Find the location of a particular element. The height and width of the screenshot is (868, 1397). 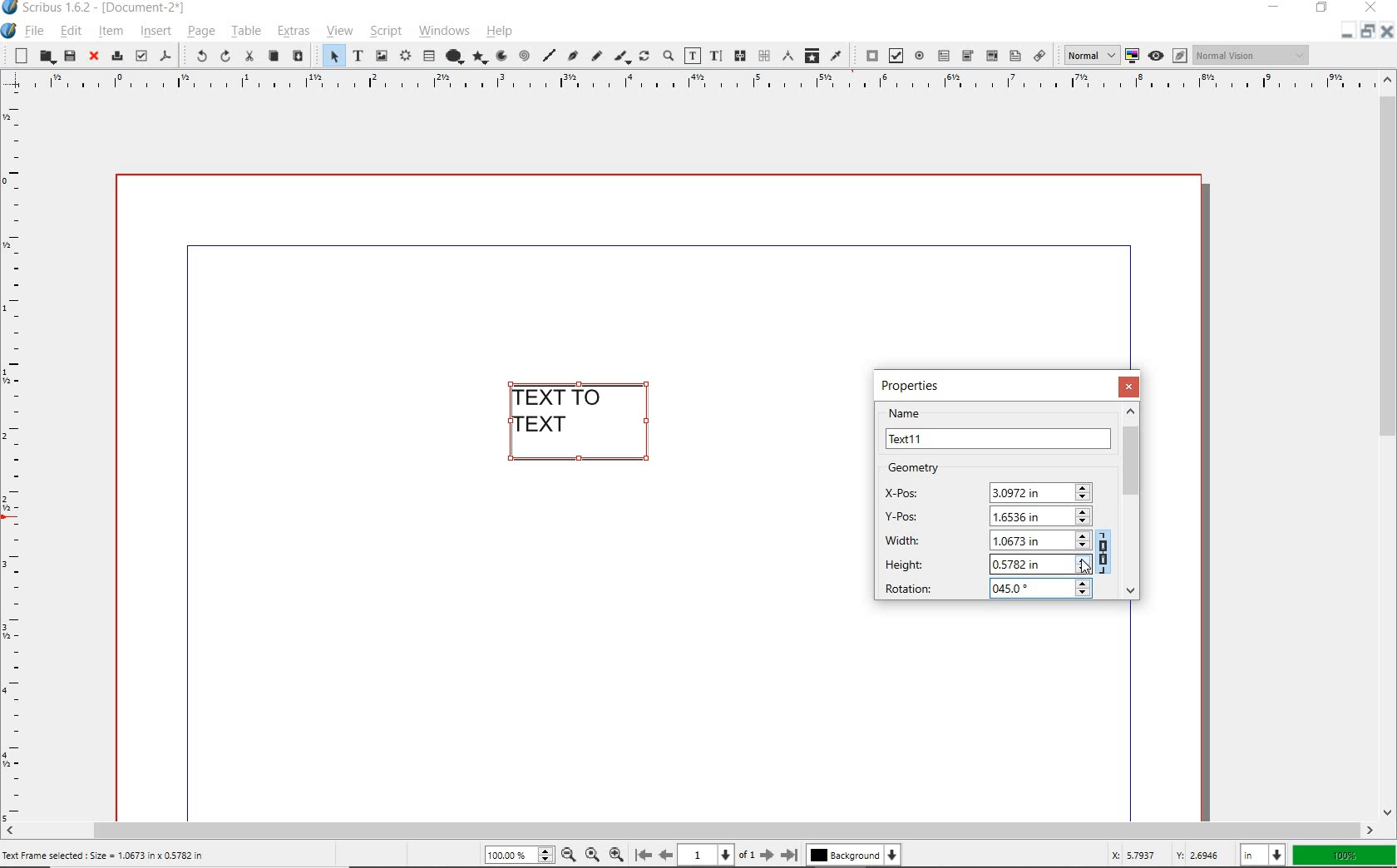

PROPERTIES is located at coordinates (914, 385).